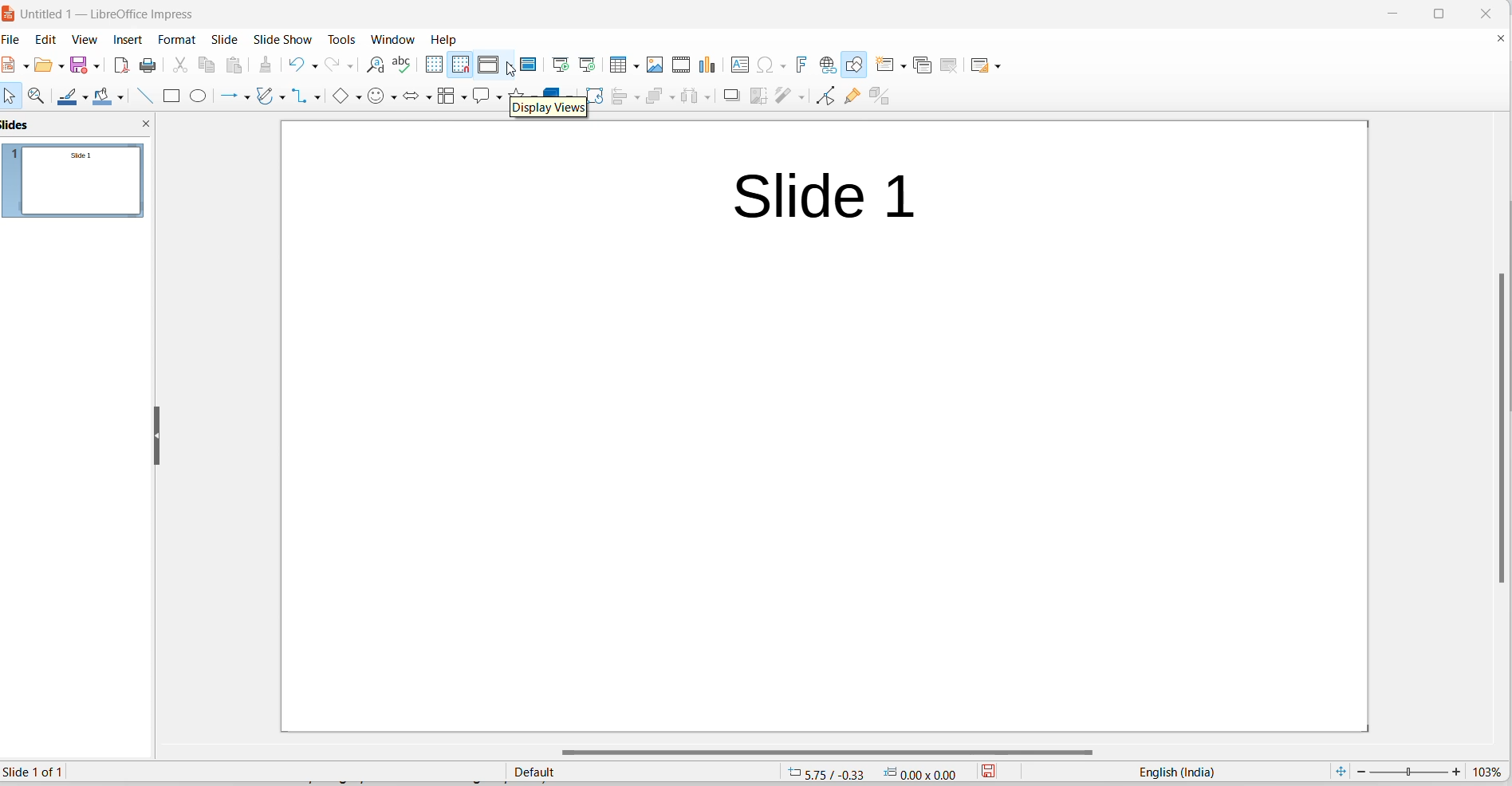 The width and height of the screenshot is (1512, 786). Describe the element at coordinates (303, 96) in the screenshot. I see `connectors` at that location.